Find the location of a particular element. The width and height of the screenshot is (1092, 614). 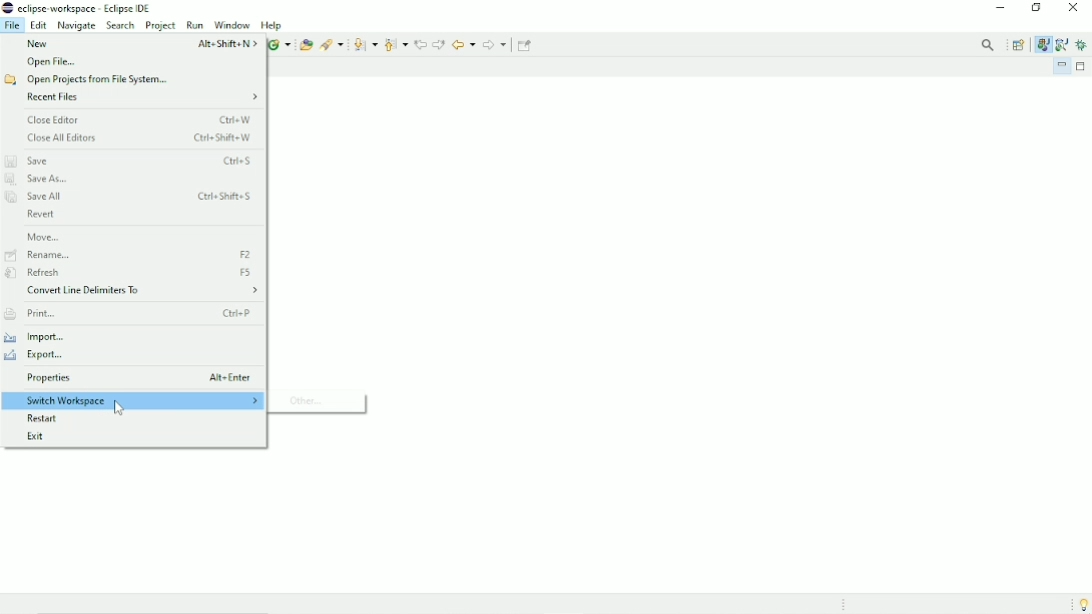

Window is located at coordinates (231, 25).